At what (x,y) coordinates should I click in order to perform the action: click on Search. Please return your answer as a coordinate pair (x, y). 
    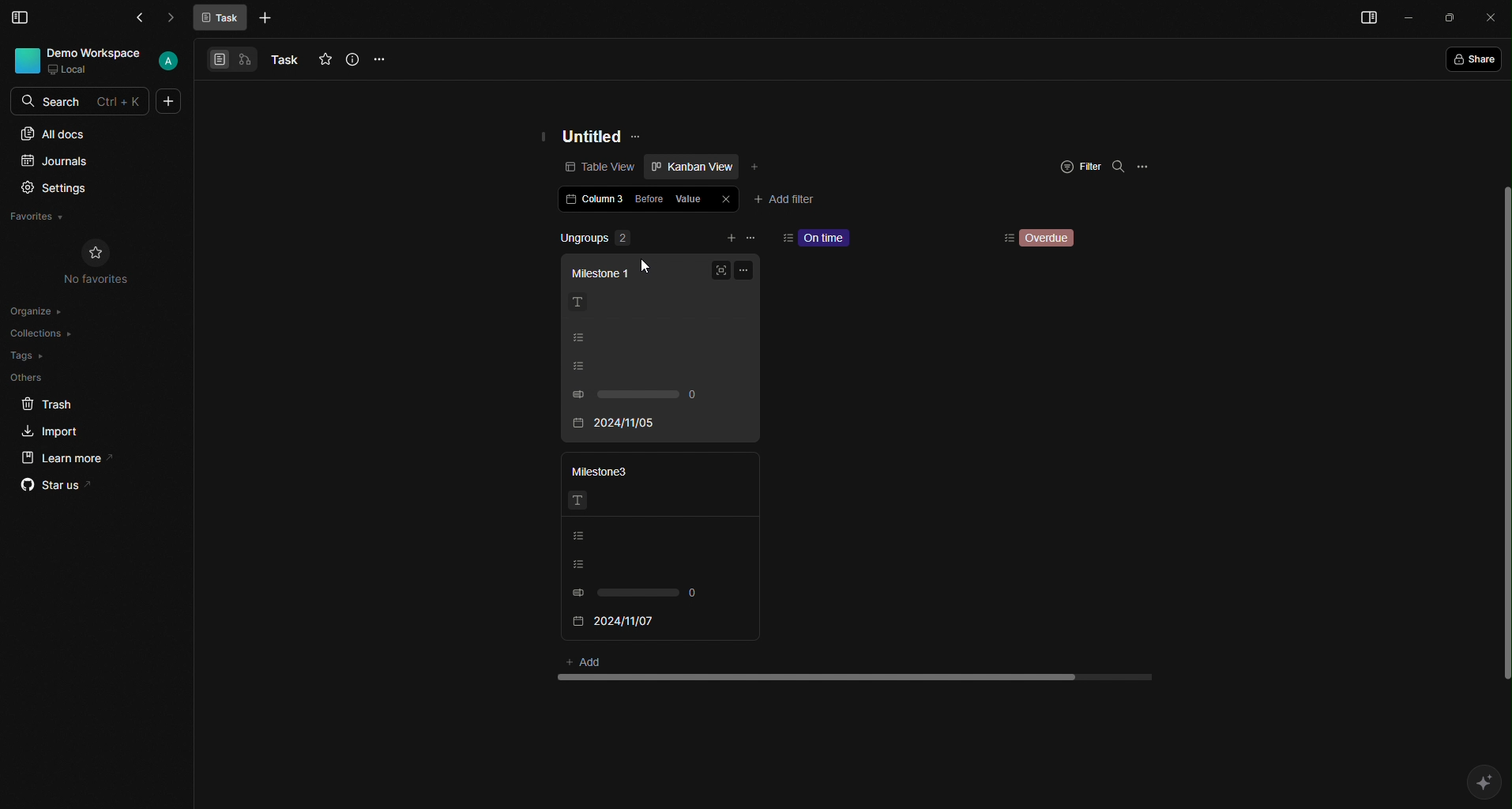
    Looking at the image, I should click on (1119, 168).